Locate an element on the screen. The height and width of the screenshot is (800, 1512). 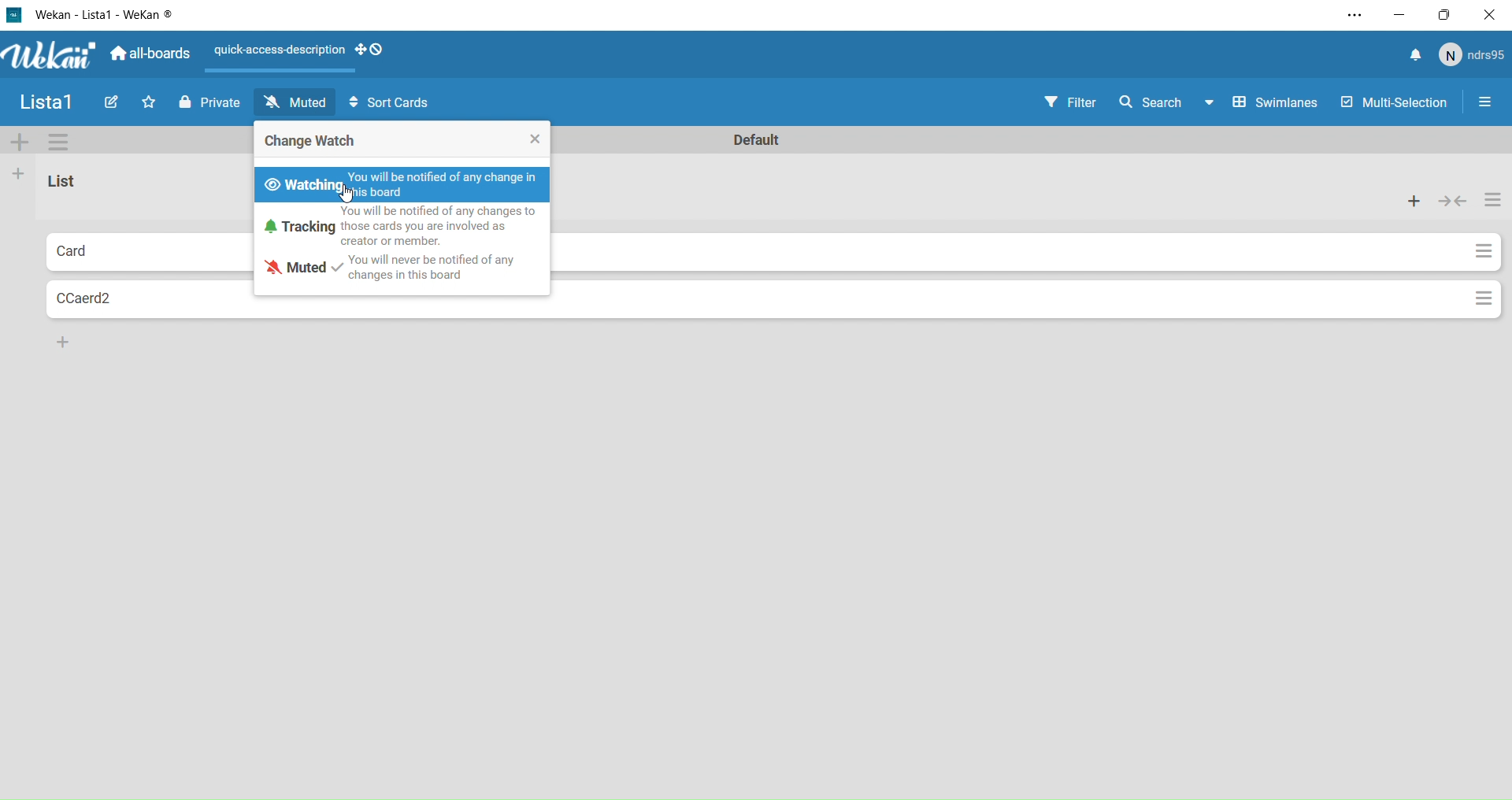
Private is located at coordinates (209, 104).